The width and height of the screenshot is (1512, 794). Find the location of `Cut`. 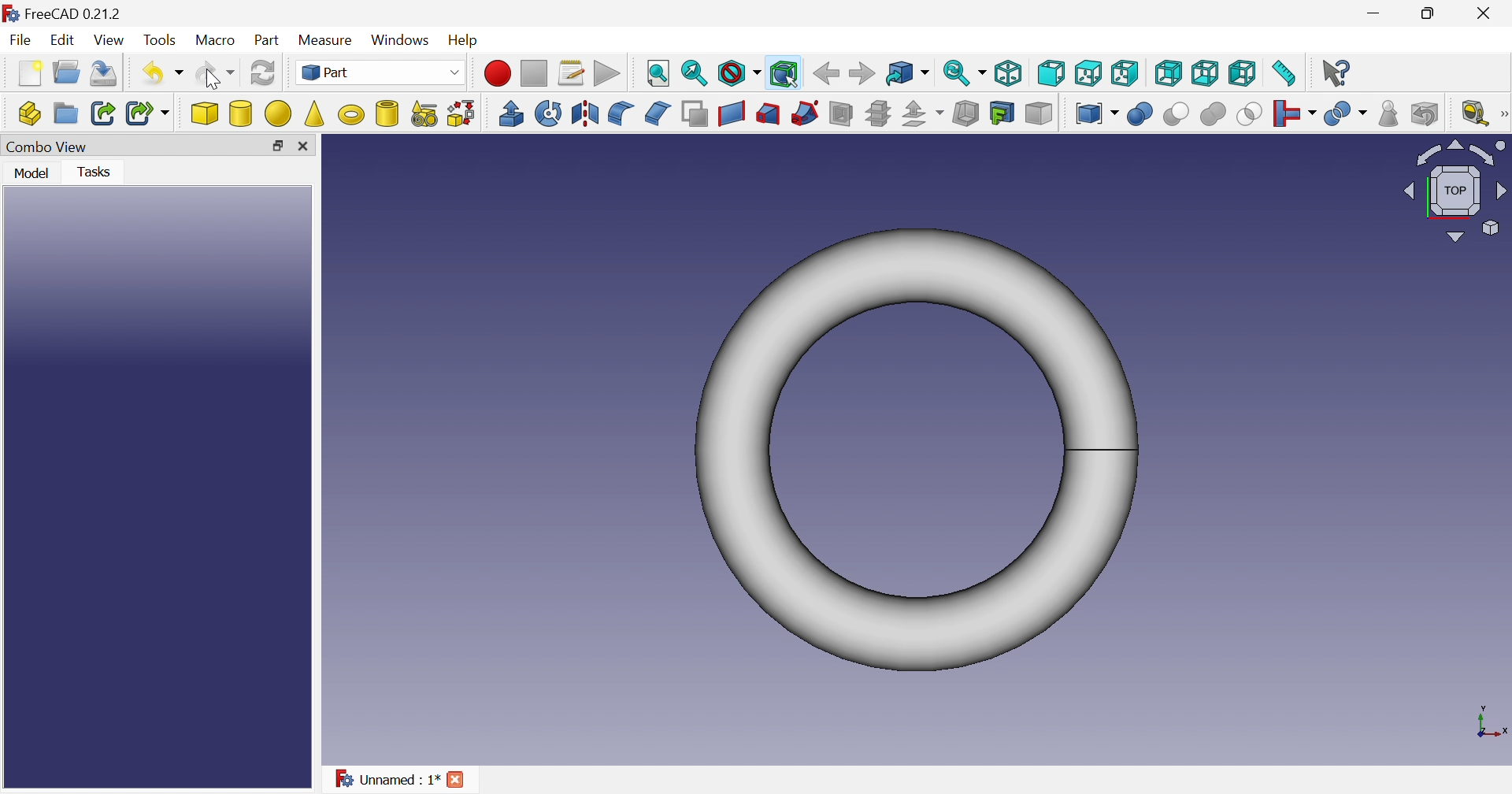

Cut is located at coordinates (1177, 115).